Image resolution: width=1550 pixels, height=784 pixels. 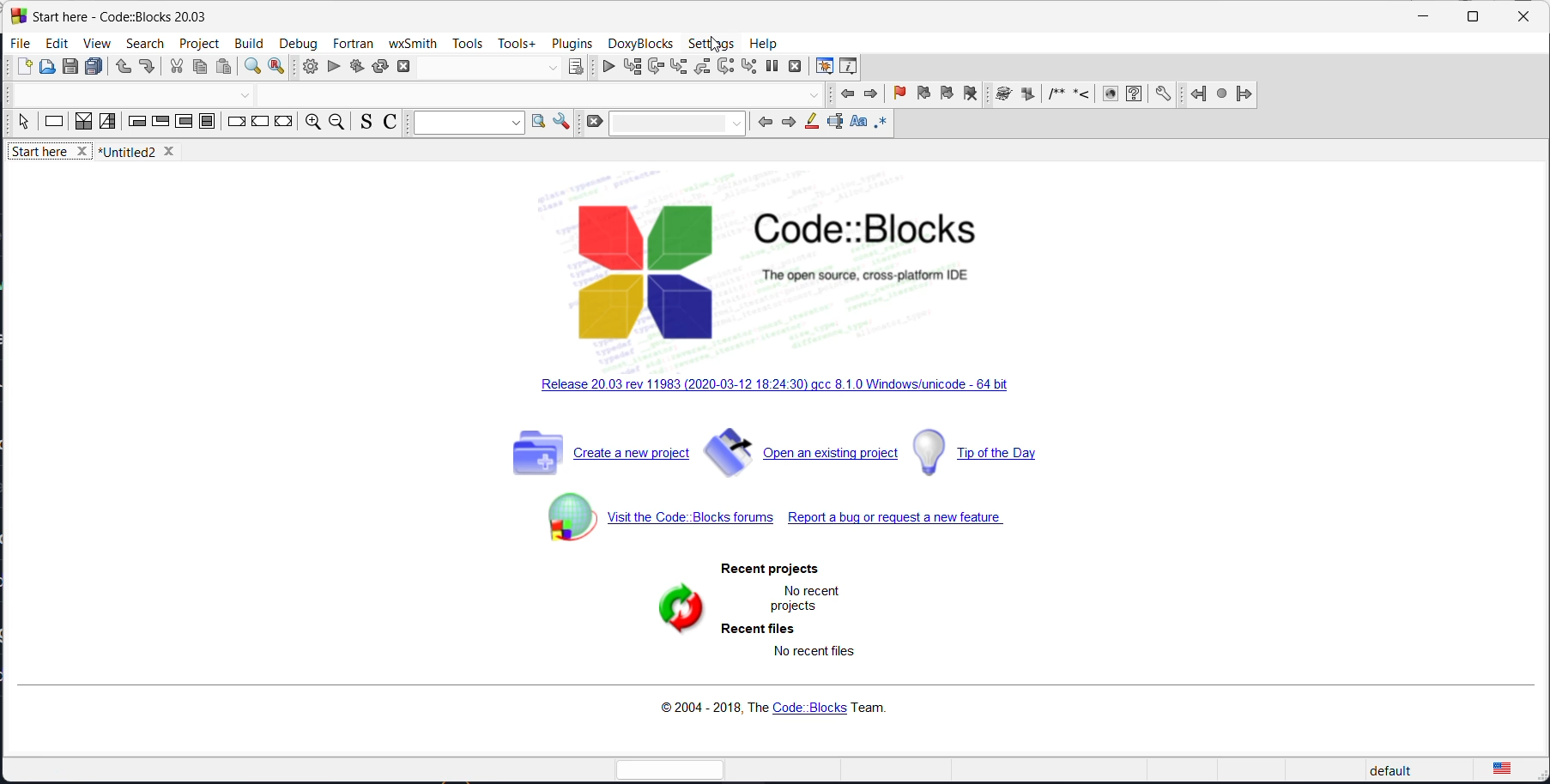 I want to click on previous, so click(x=849, y=96).